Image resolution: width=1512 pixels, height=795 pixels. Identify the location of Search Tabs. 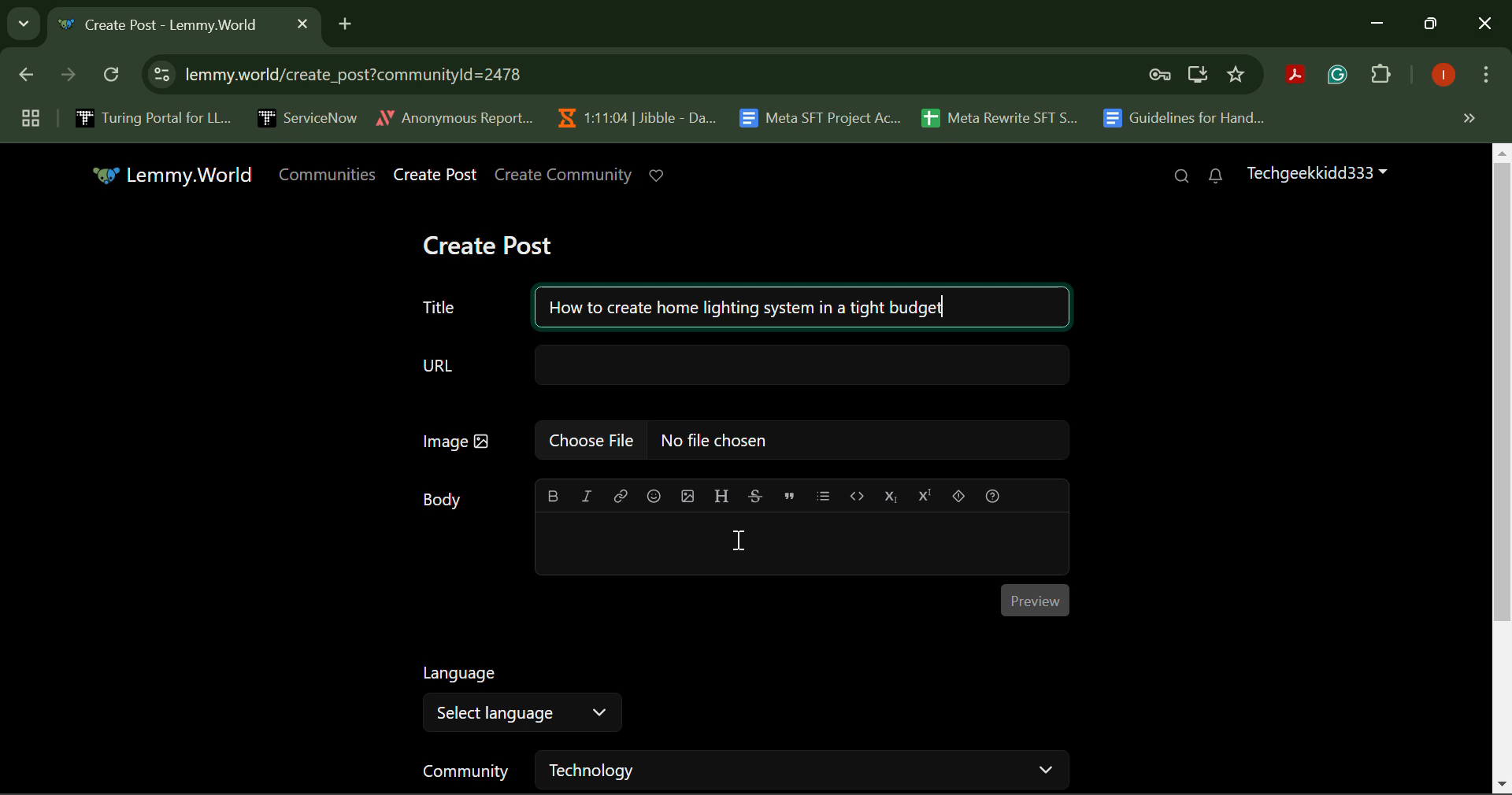
(20, 21).